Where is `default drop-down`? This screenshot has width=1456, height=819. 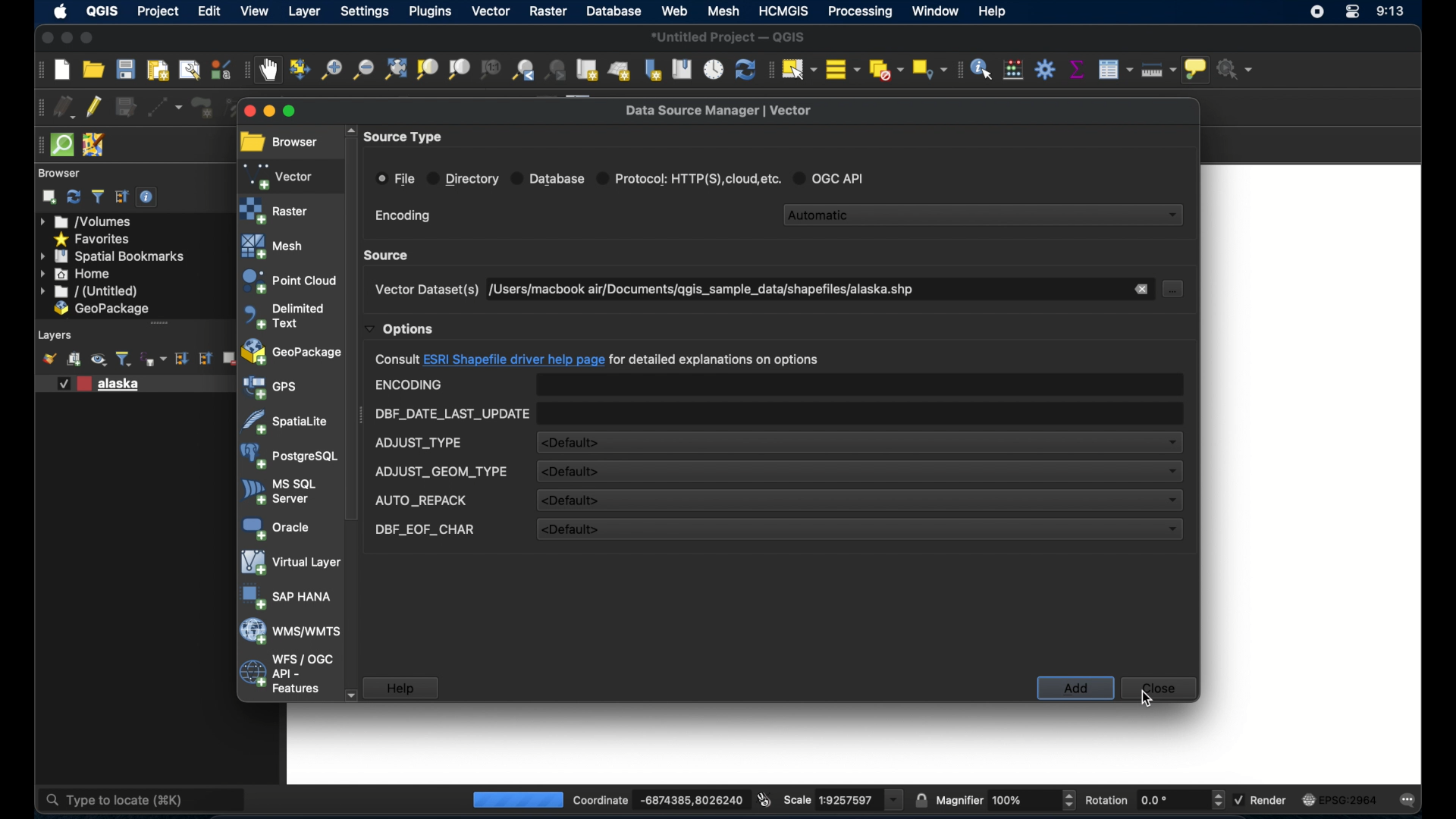
default drop-down is located at coordinates (857, 471).